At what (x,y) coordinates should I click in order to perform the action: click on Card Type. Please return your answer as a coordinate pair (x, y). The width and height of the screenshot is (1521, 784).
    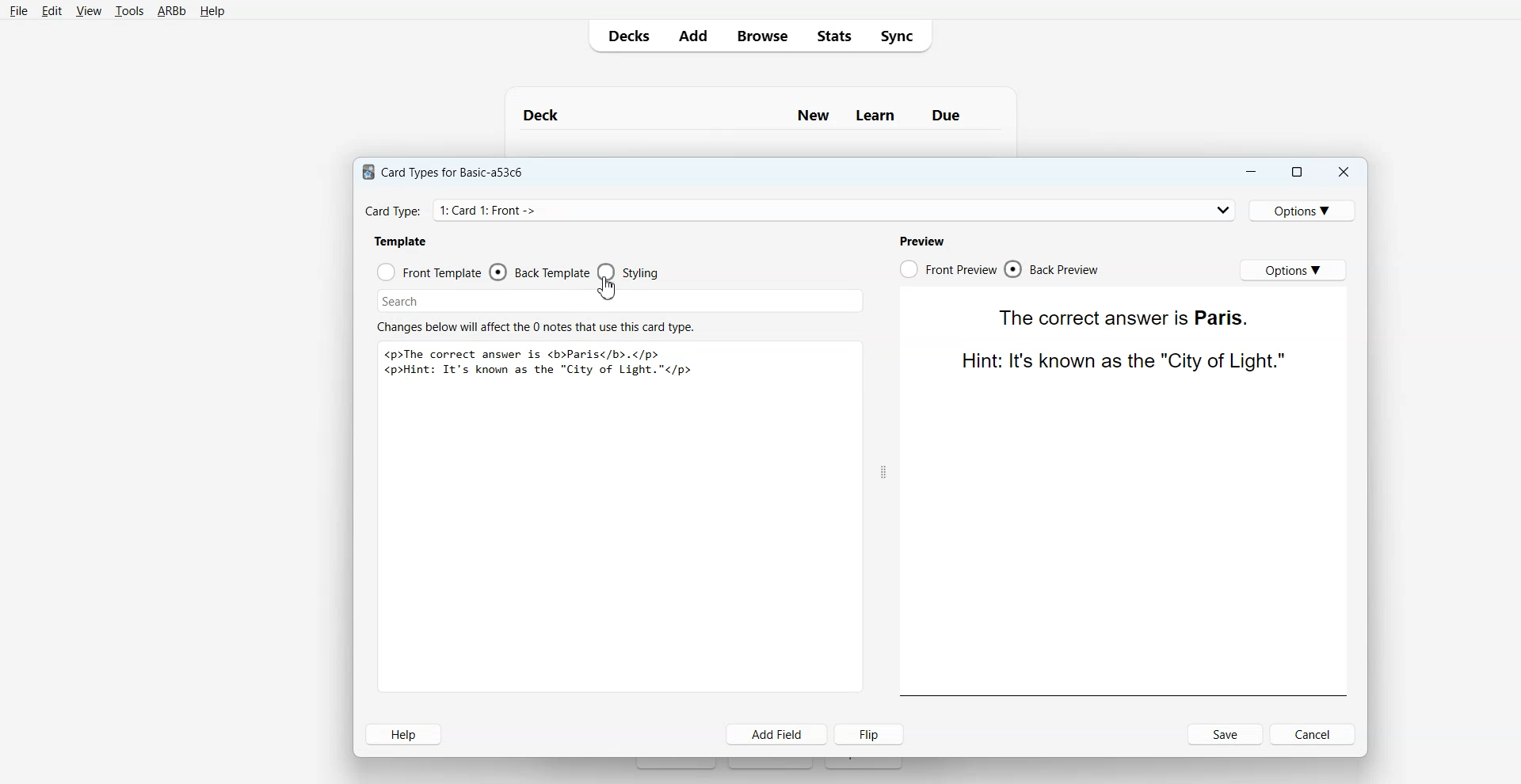
    Looking at the image, I should click on (801, 210).